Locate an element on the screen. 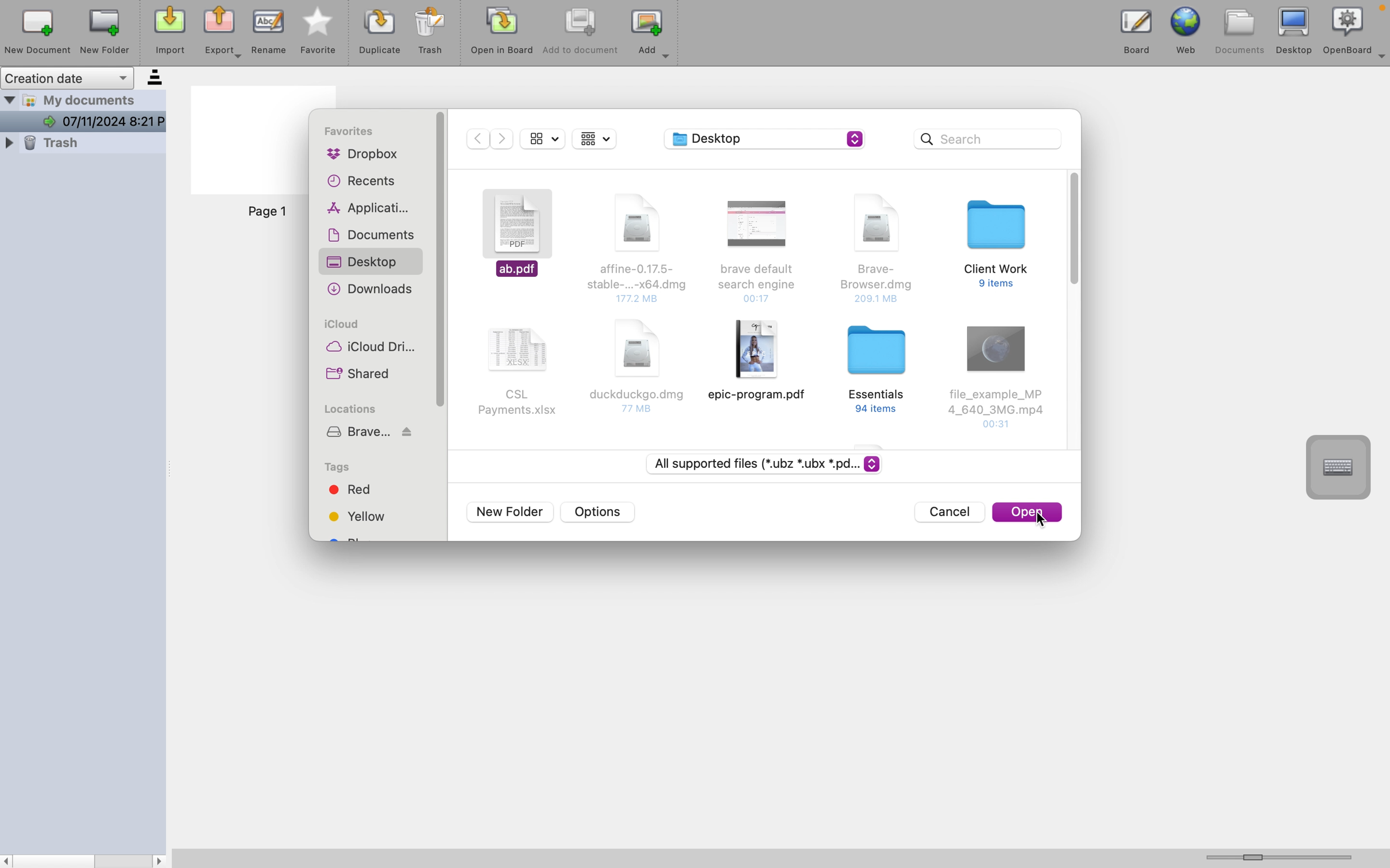  new folder is located at coordinates (513, 511).